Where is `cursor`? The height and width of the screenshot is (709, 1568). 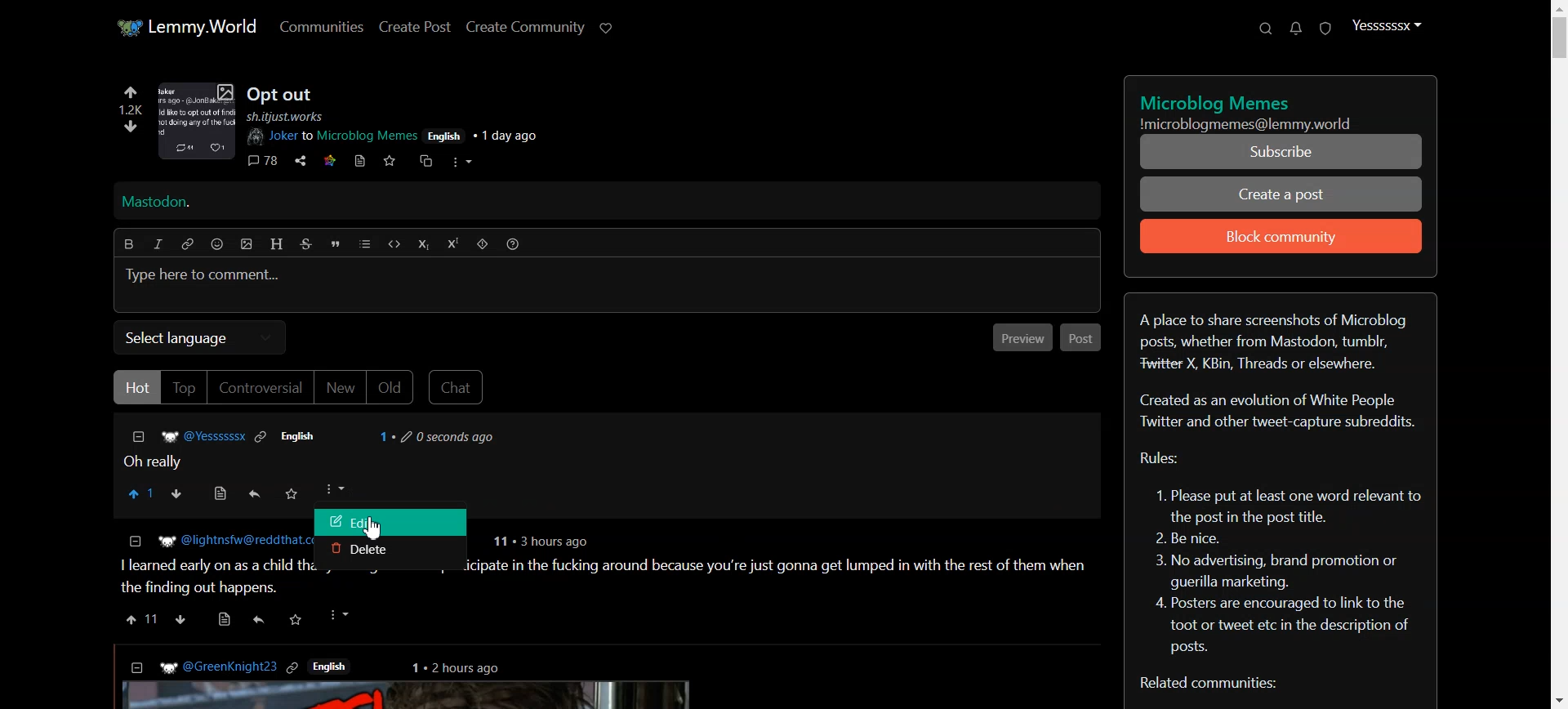 cursor is located at coordinates (376, 530).